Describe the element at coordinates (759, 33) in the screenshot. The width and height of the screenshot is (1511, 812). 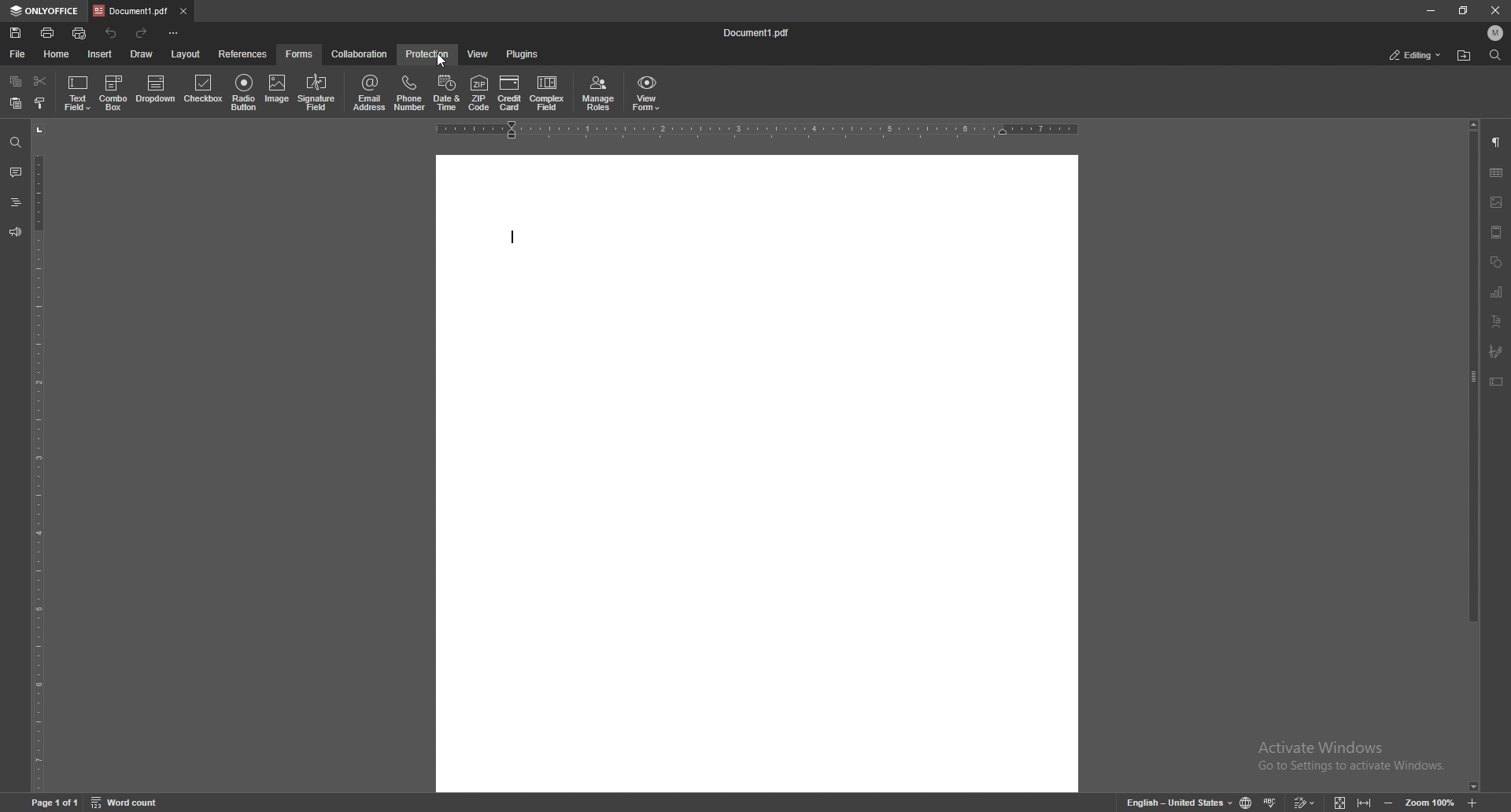
I see `file name` at that location.